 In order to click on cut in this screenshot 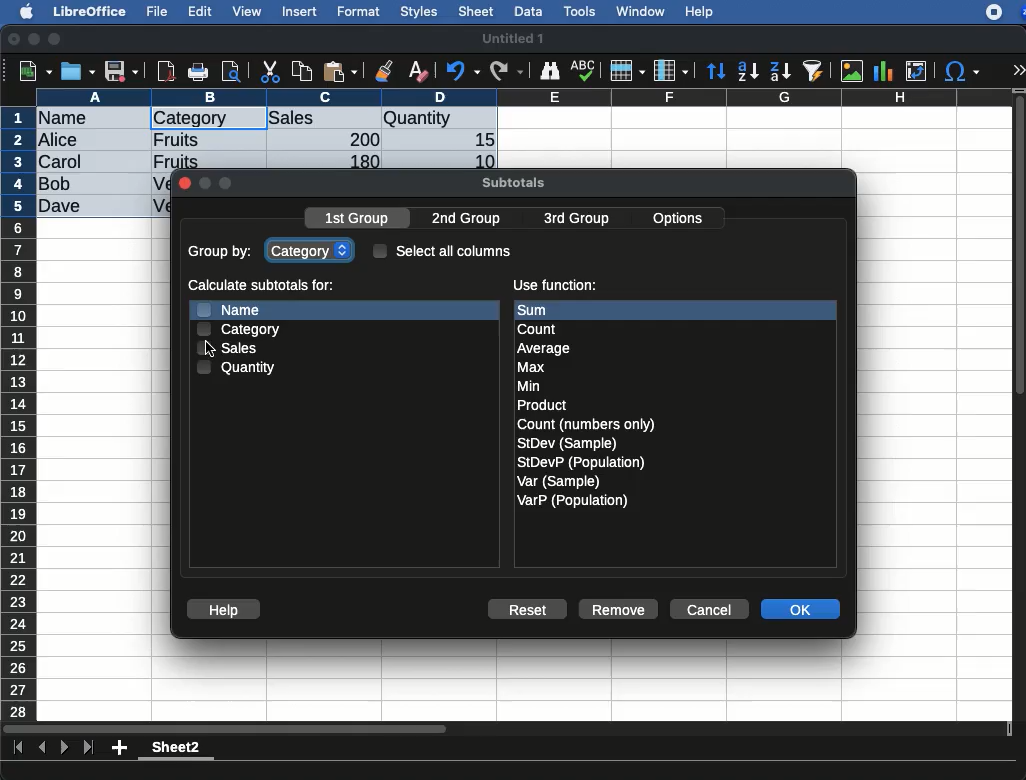, I will do `click(271, 71)`.